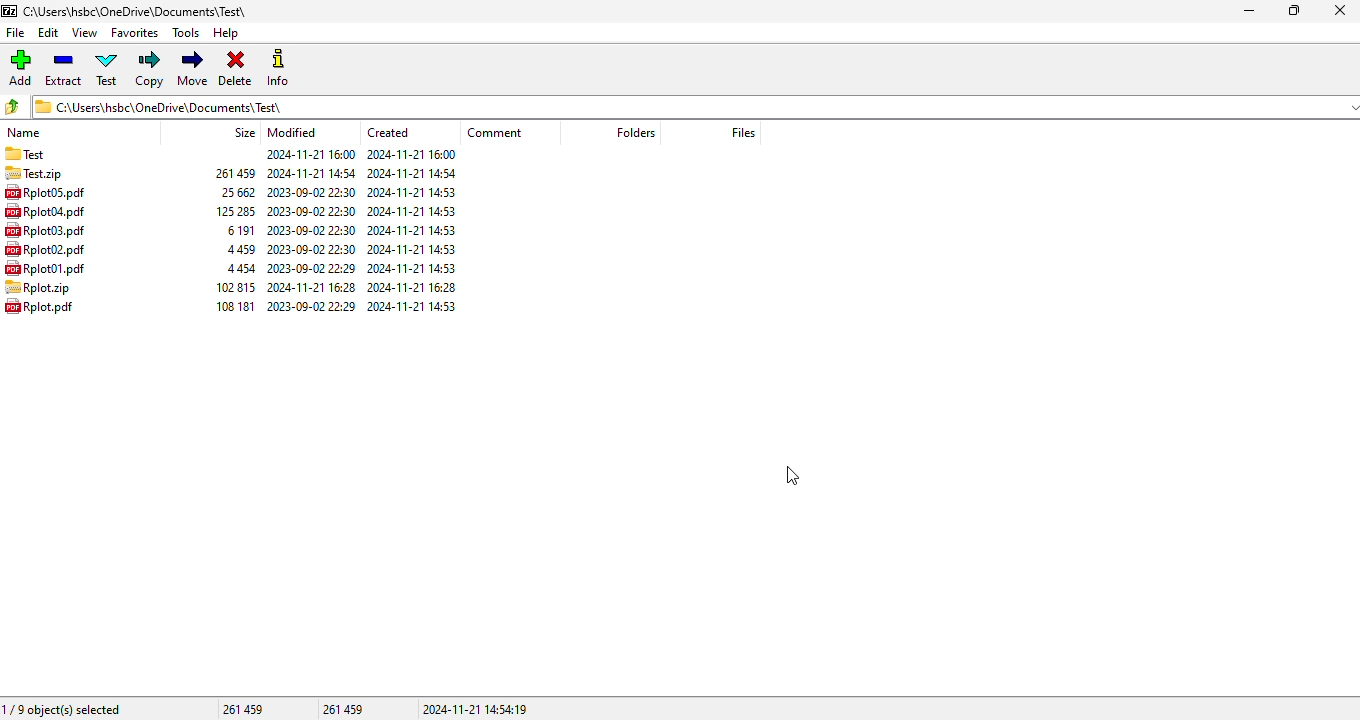  What do you see at coordinates (311, 154) in the screenshot?
I see `modified date & time` at bounding box center [311, 154].